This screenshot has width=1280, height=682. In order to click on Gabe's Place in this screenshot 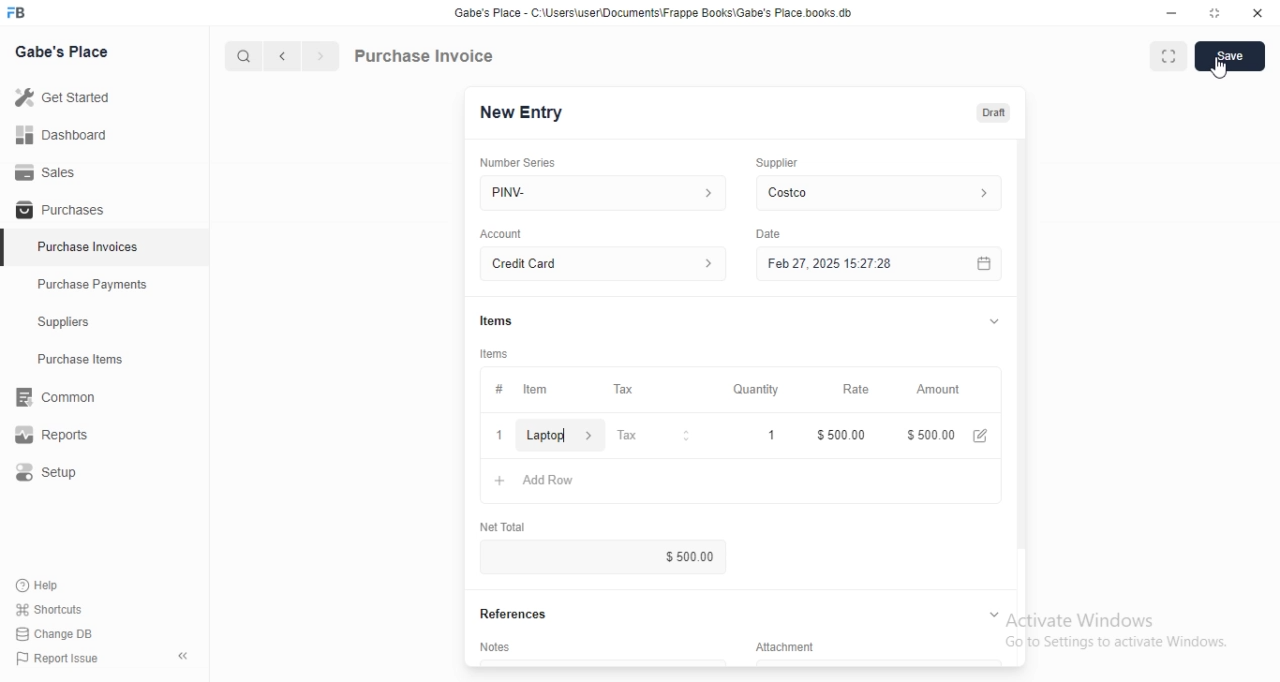, I will do `click(61, 51)`.